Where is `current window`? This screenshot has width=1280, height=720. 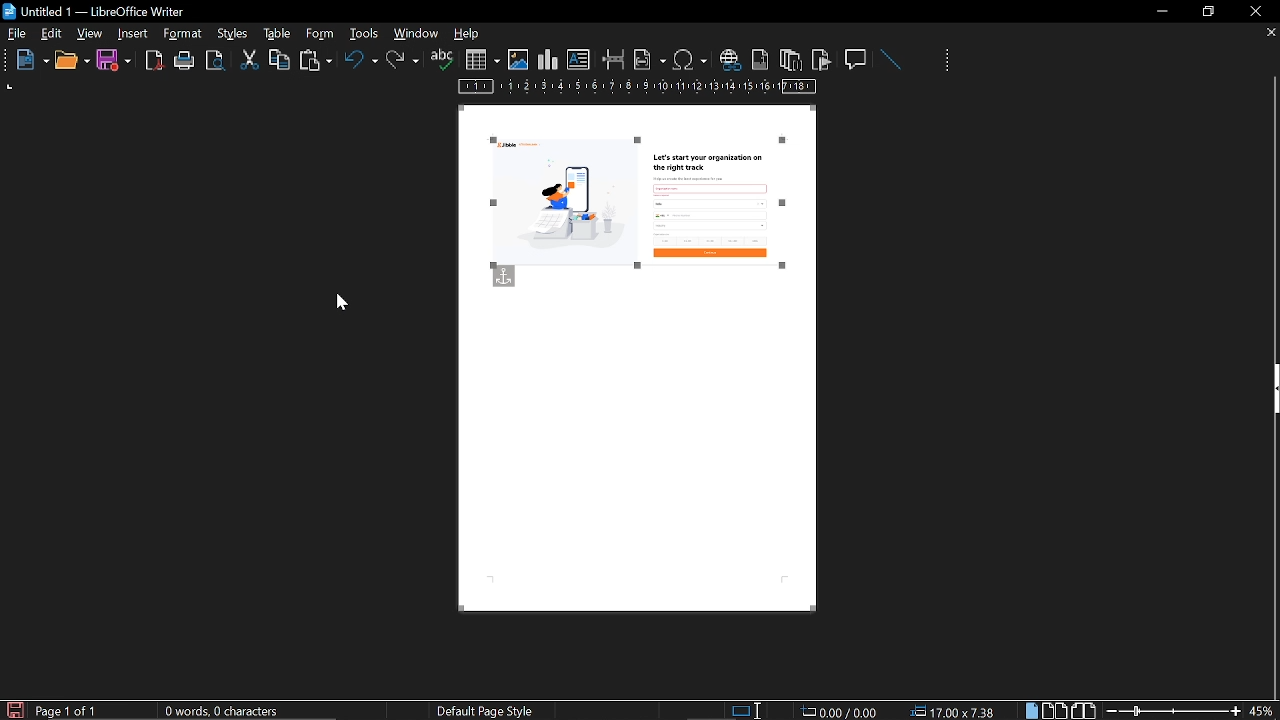 current window is located at coordinates (97, 10).